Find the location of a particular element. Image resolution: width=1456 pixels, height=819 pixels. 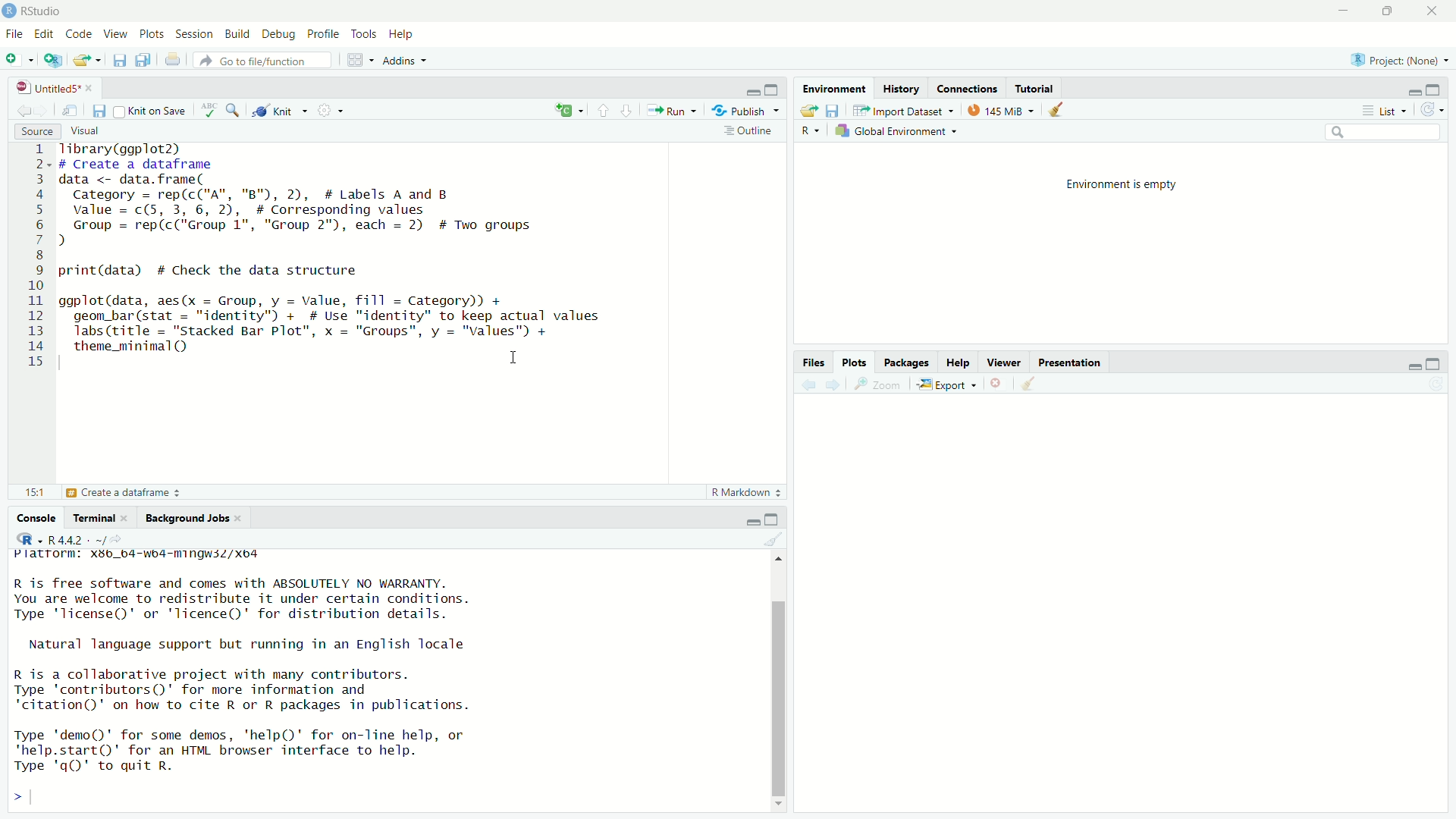

Create a project is located at coordinates (53, 60).